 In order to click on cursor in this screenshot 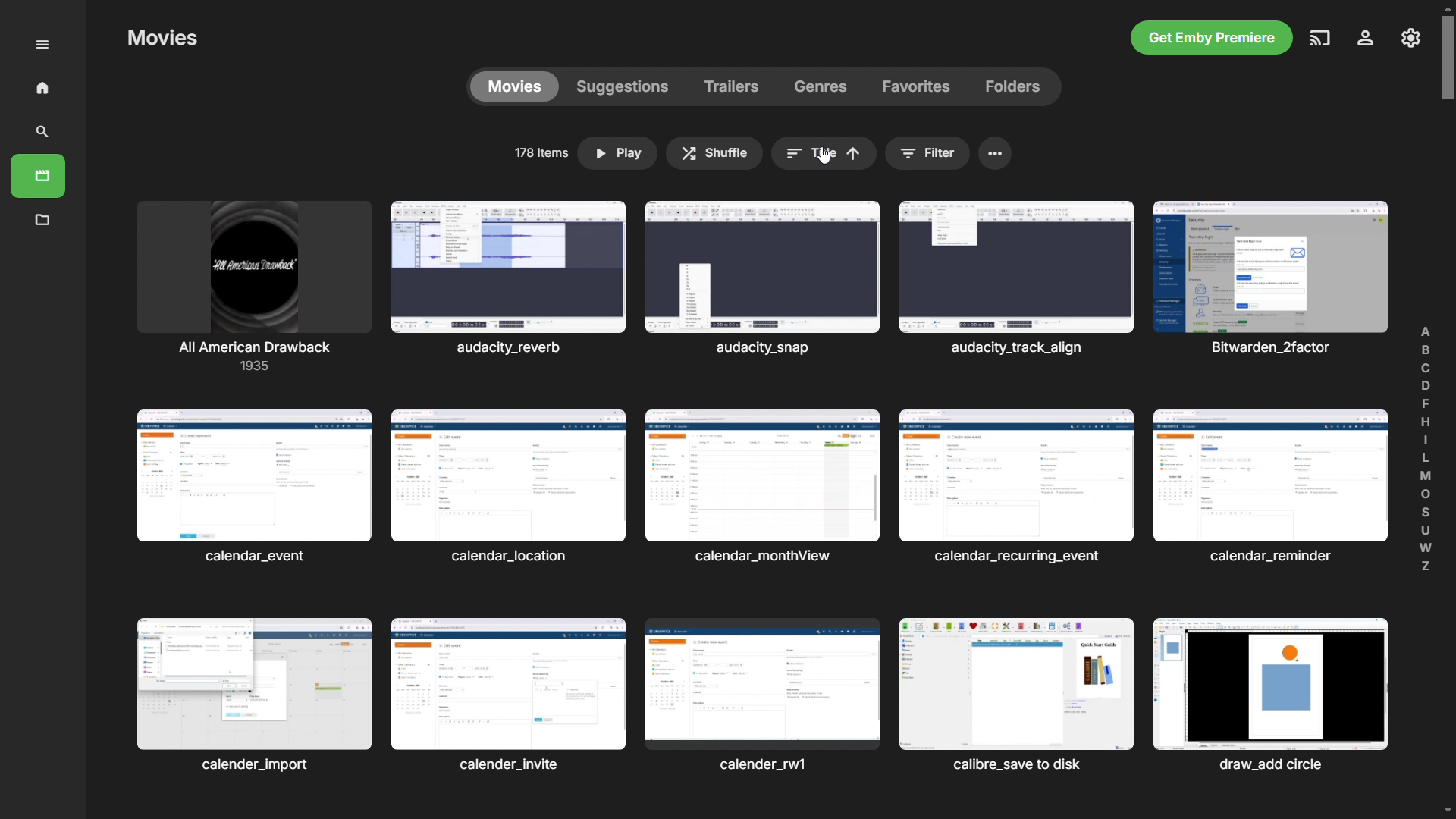, I will do `click(826, 158)`.